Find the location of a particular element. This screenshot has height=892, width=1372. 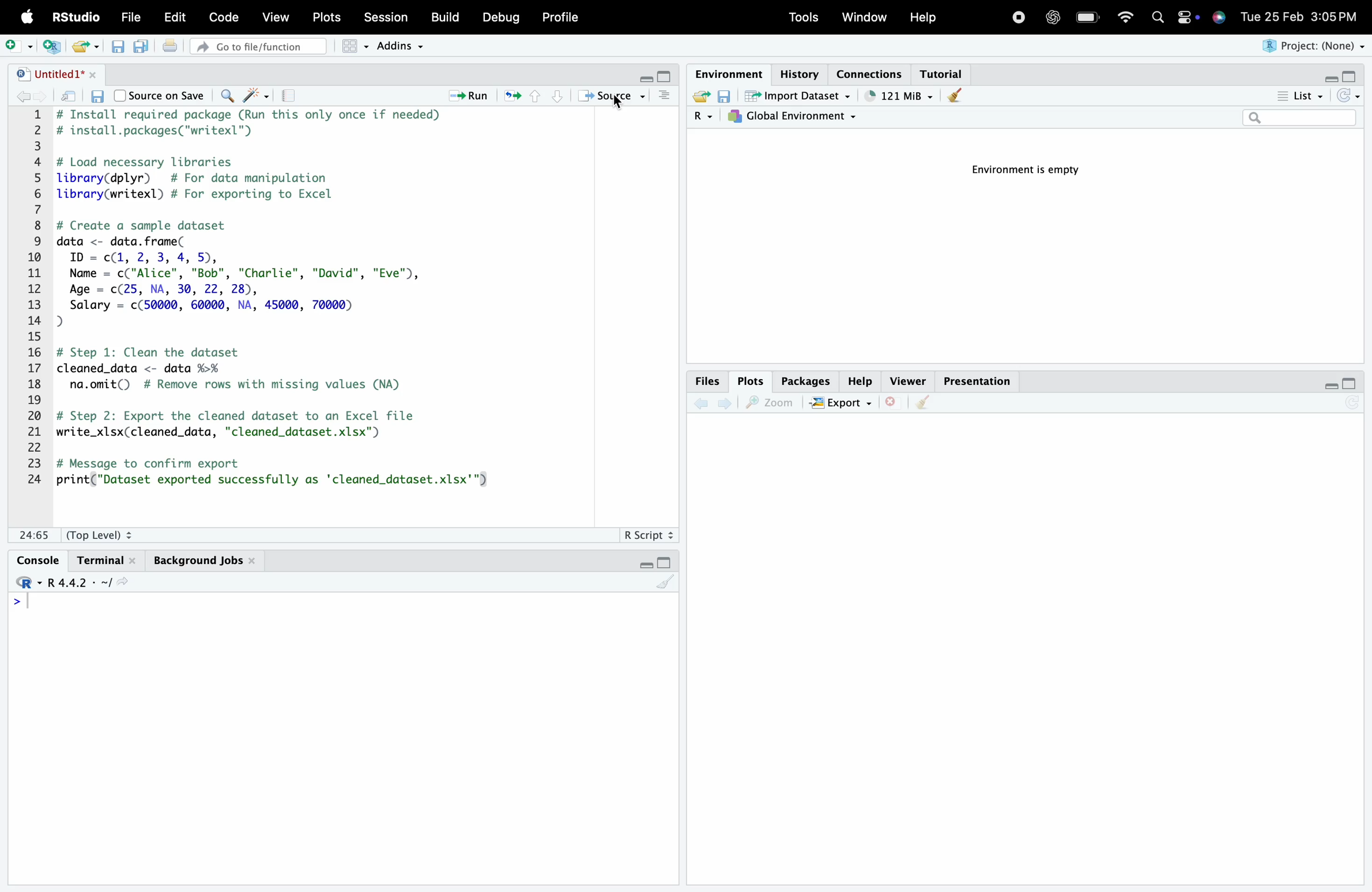

Go forward to the next source location (Ctrl + F10) is located at coordinates (43, 96).